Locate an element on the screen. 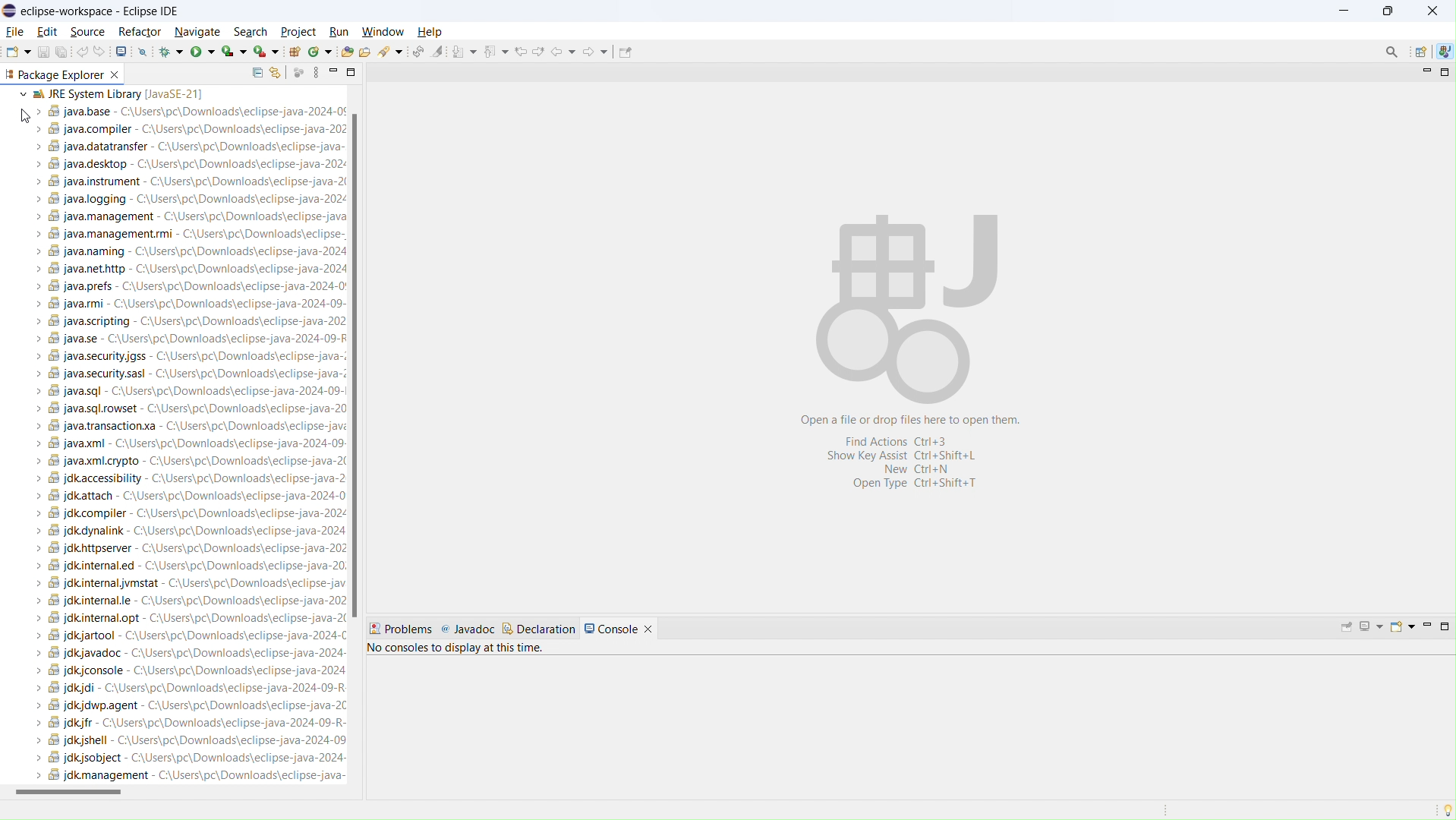 Image resolution: width=1456 pixels, height=820 pixels. Expand is located at coordinates (18, 94).